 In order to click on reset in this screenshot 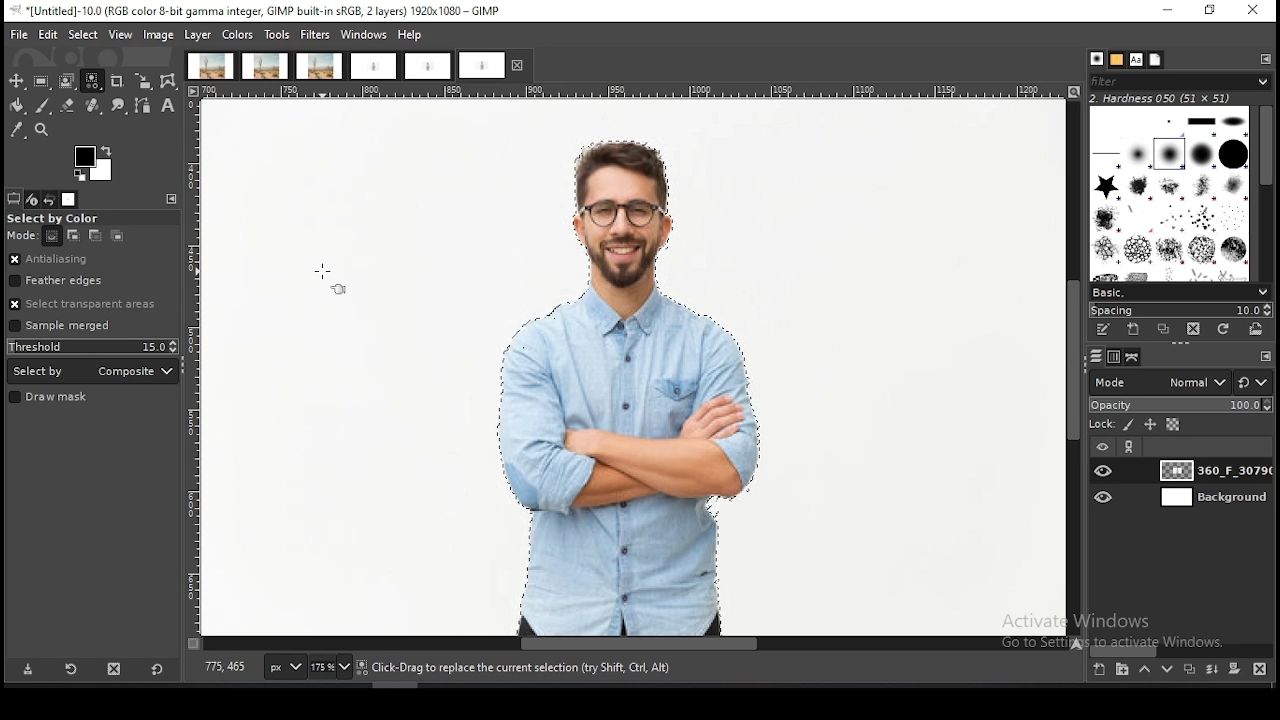, I will do `click(1254, 381)`.